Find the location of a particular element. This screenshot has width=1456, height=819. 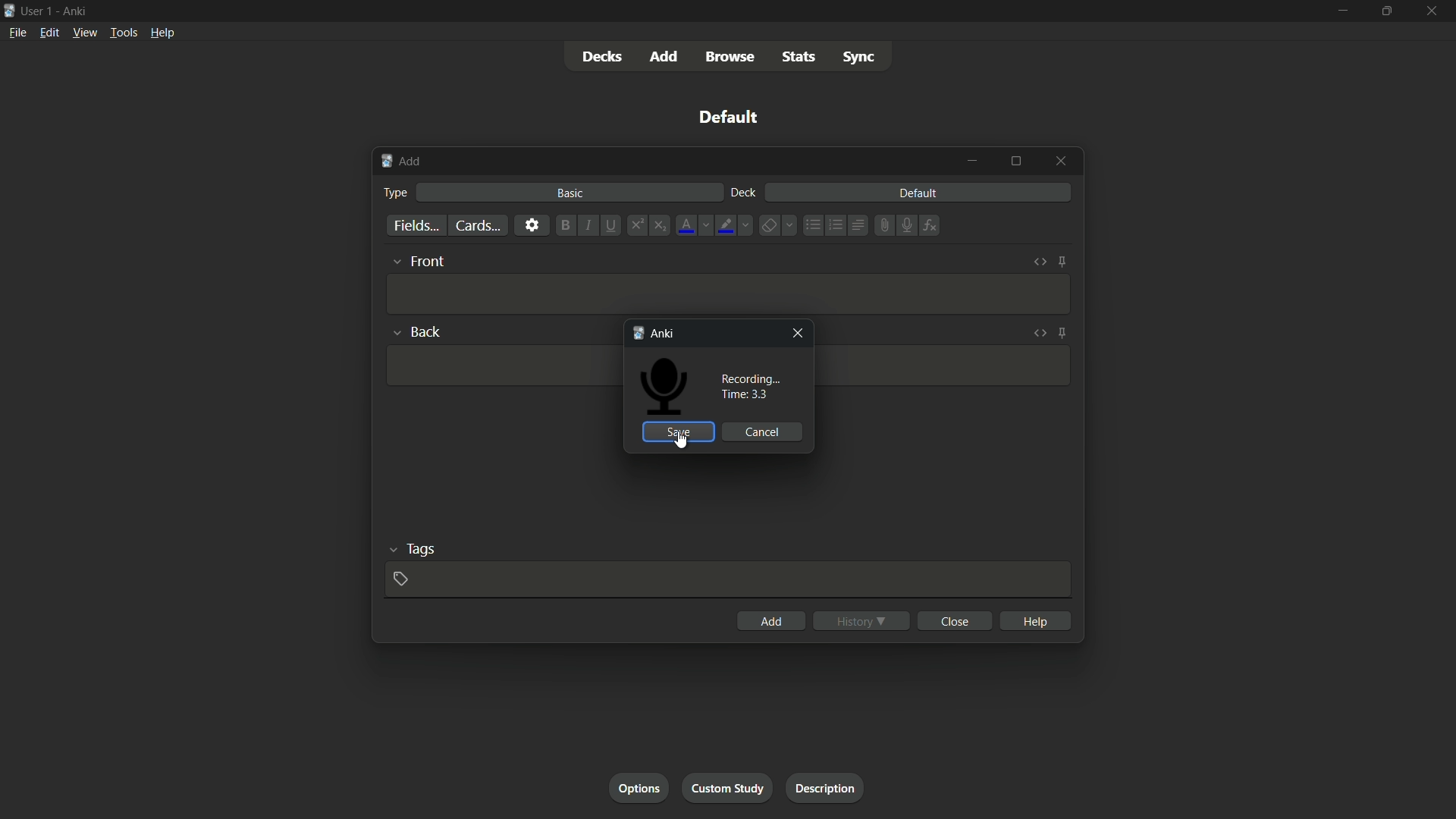

ordered list is located at coordinates (834, 225).